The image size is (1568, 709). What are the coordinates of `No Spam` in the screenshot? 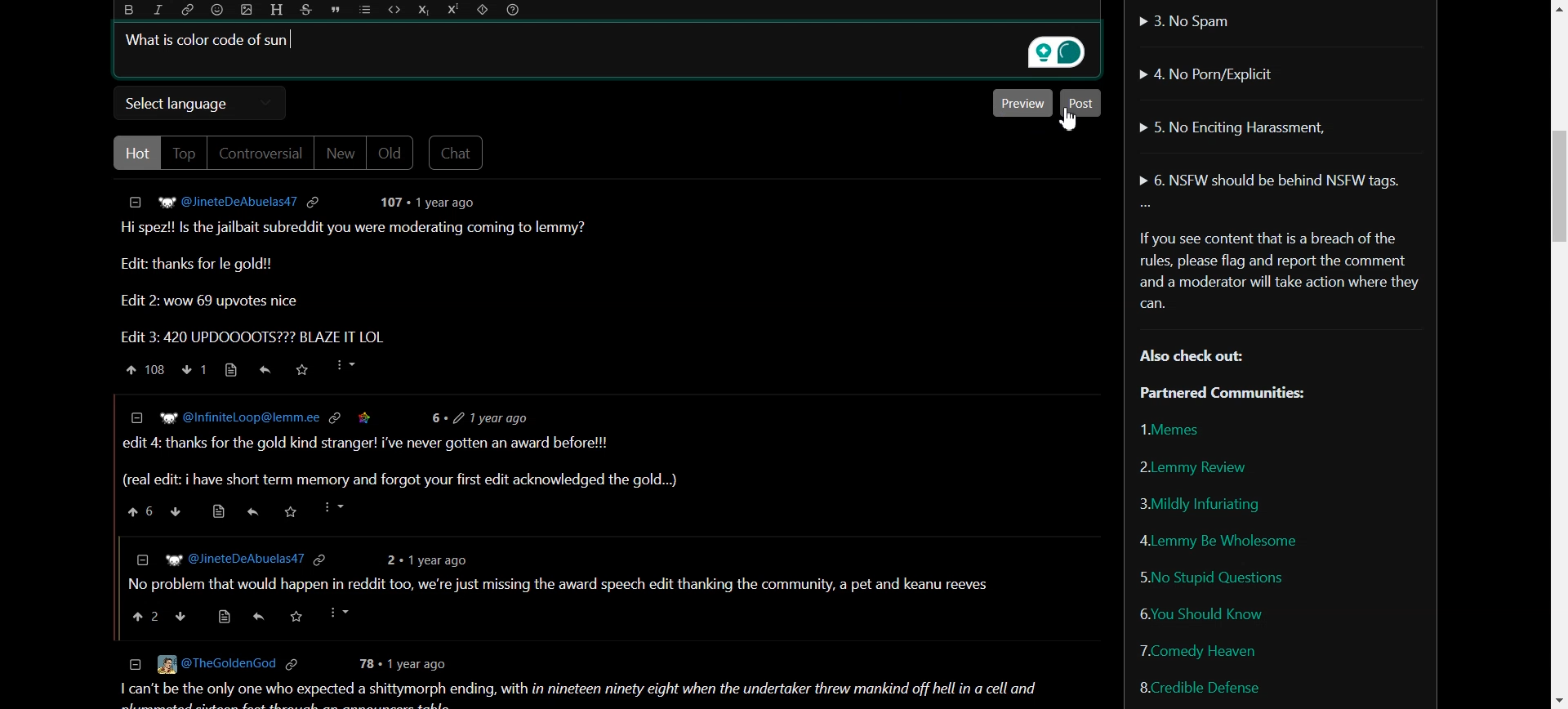 It's located at (1186, 20).